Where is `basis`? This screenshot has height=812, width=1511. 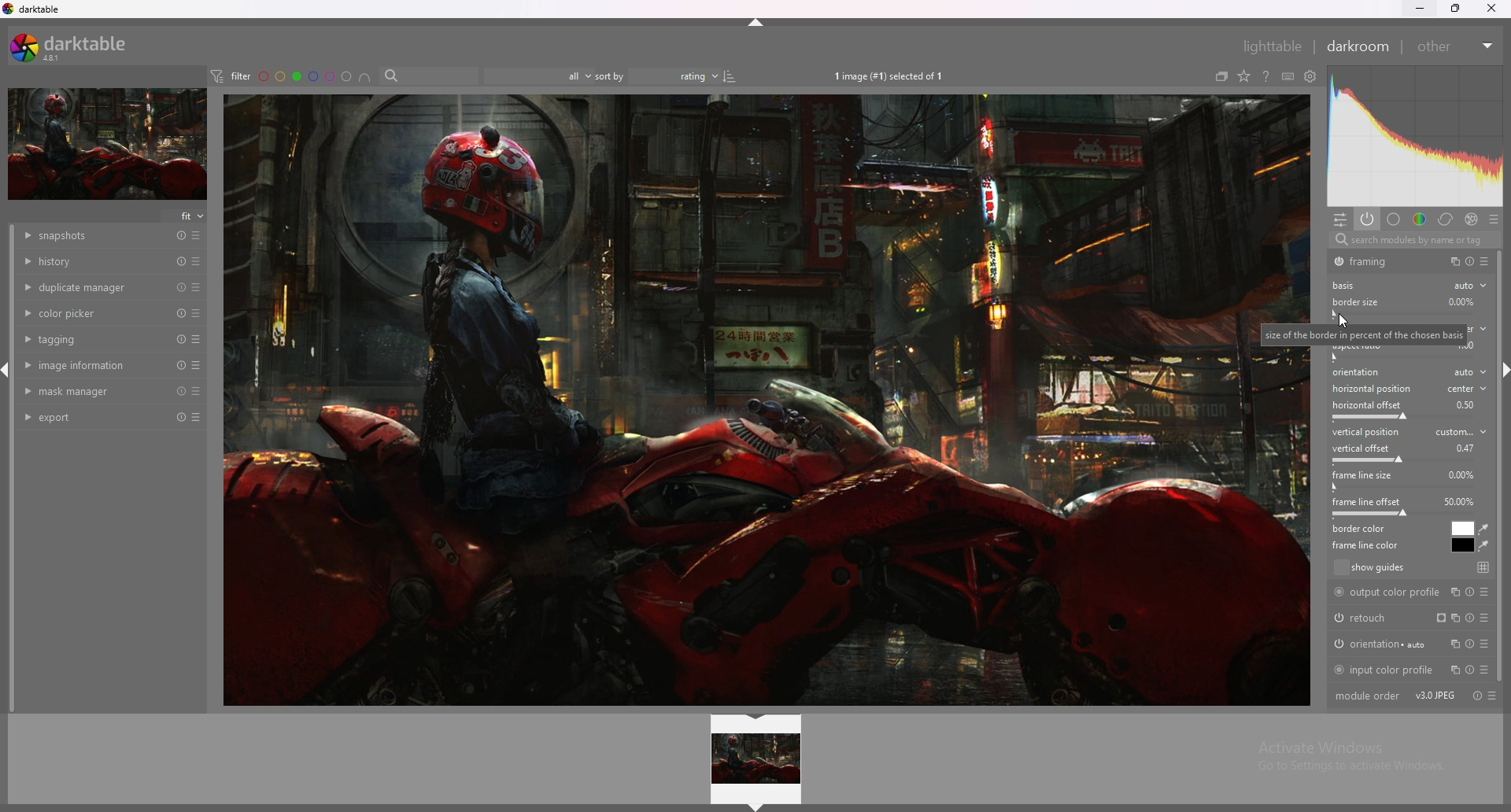 basis is located at coordinates (1349, 286).